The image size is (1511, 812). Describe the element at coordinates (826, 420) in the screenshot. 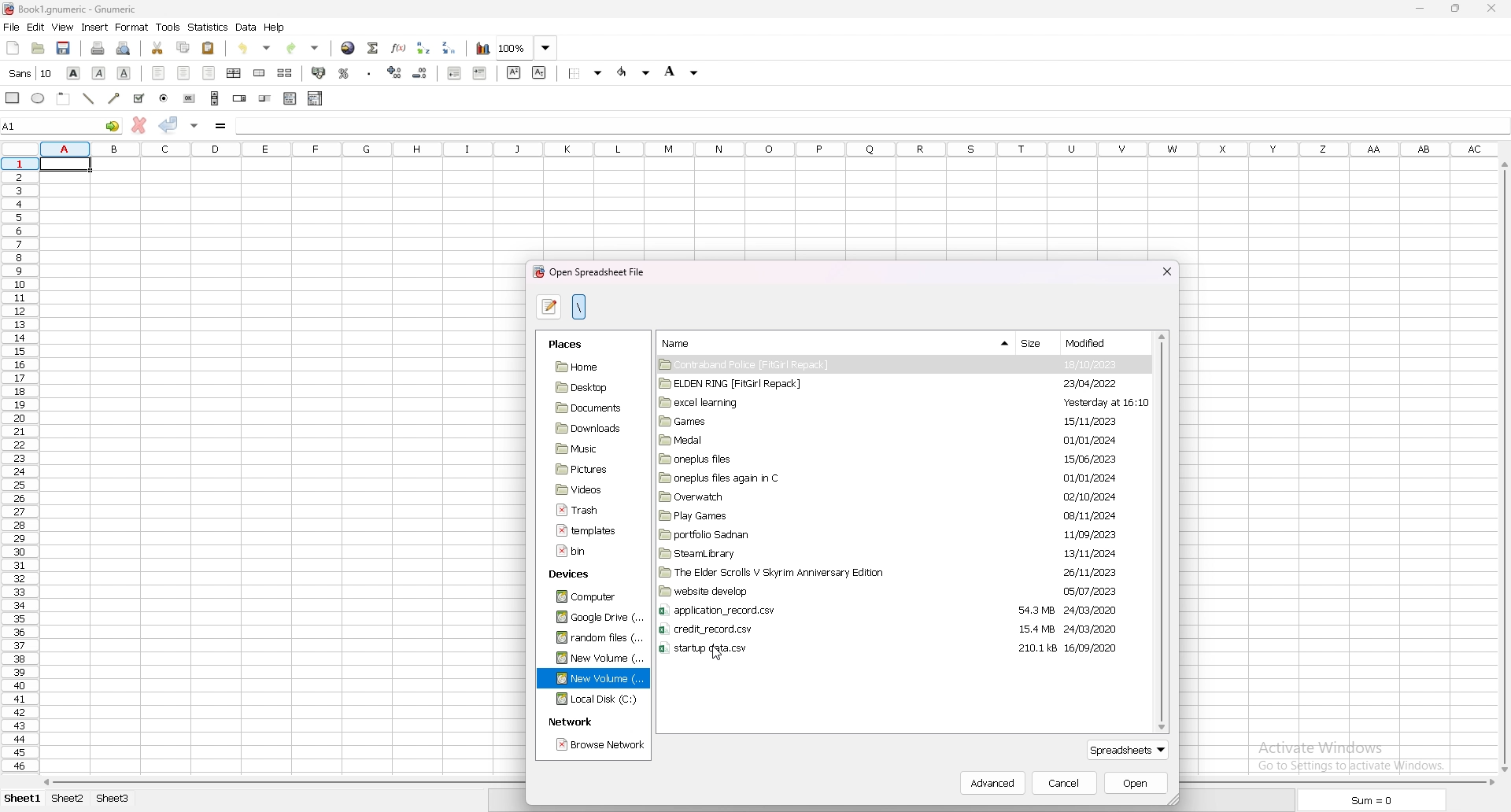

I see `folder` at that location.